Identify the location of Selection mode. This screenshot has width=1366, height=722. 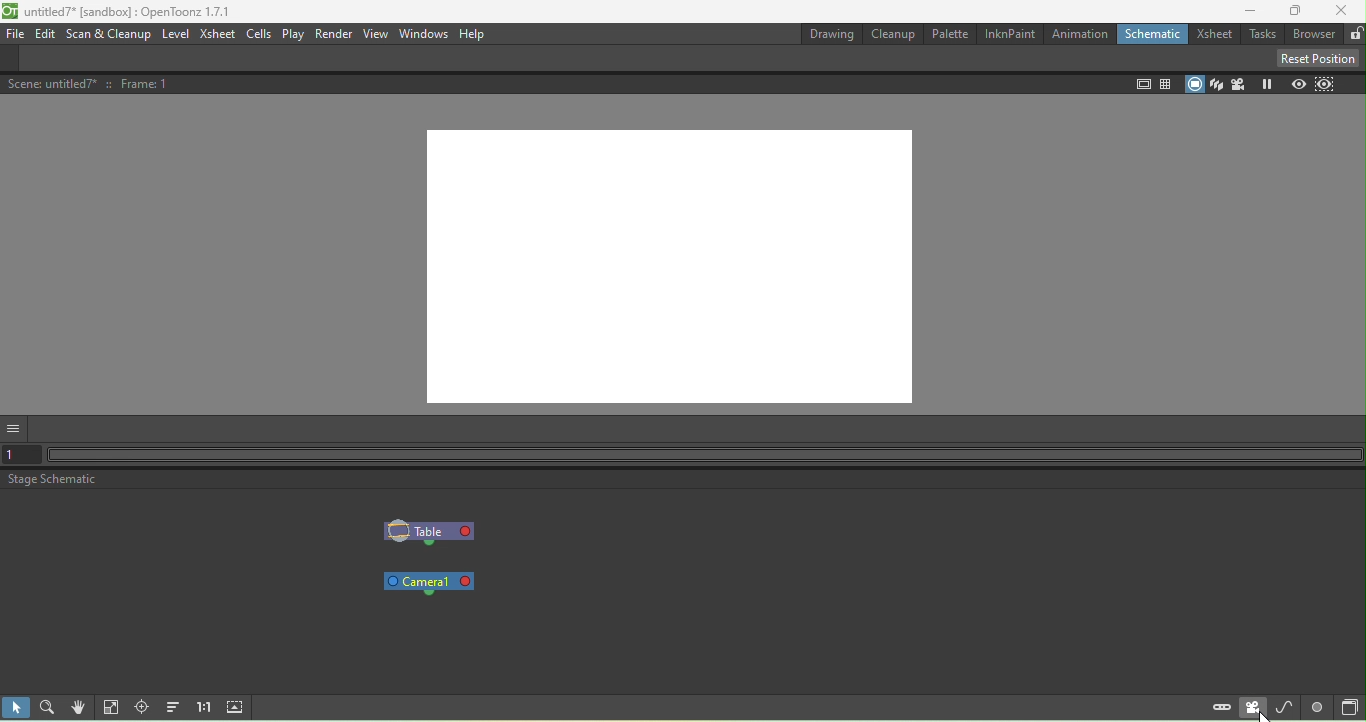
(18, 707).